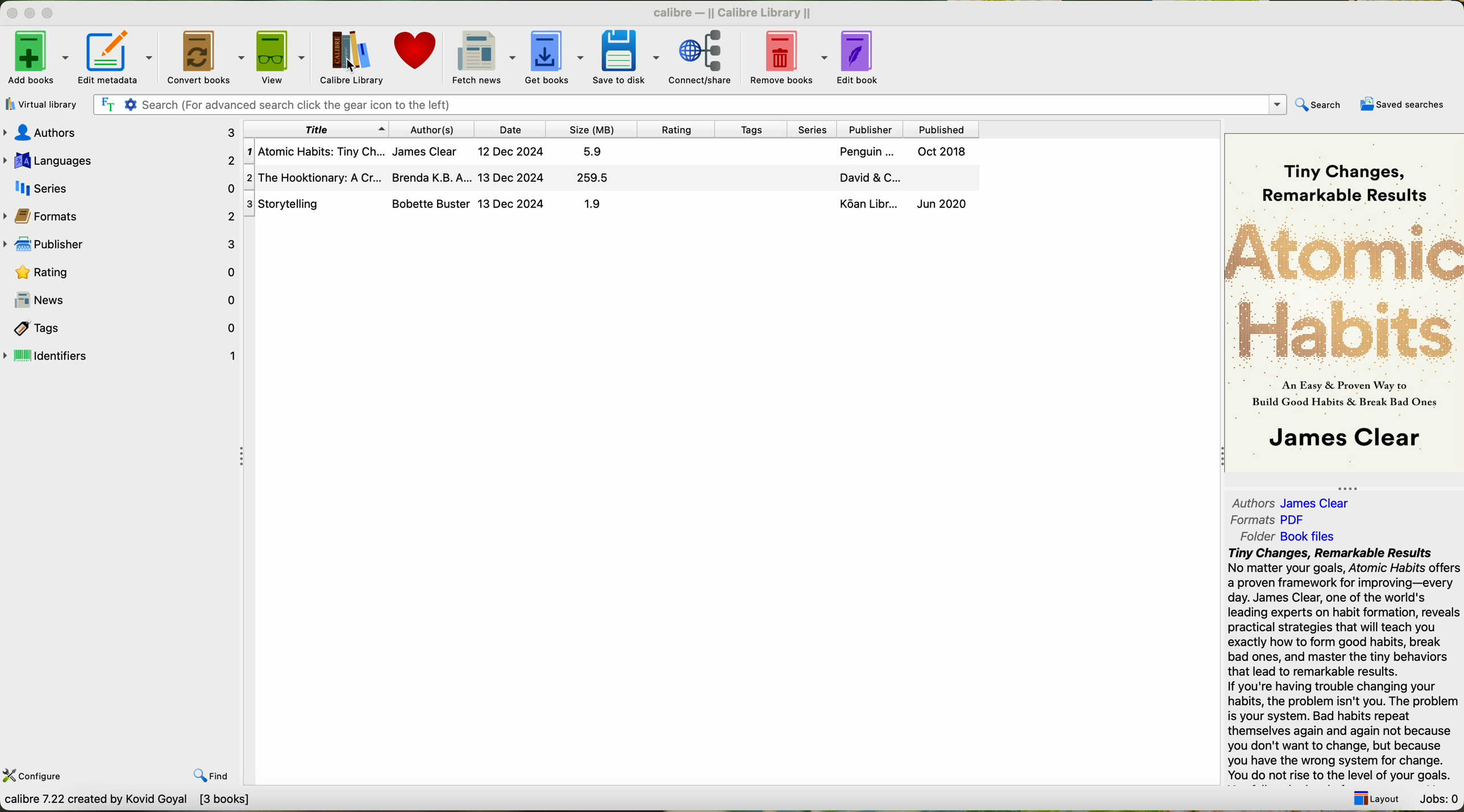 The height and width of the screenshot is (812, 1464). I want to click on Book file, so click(1307, 536).